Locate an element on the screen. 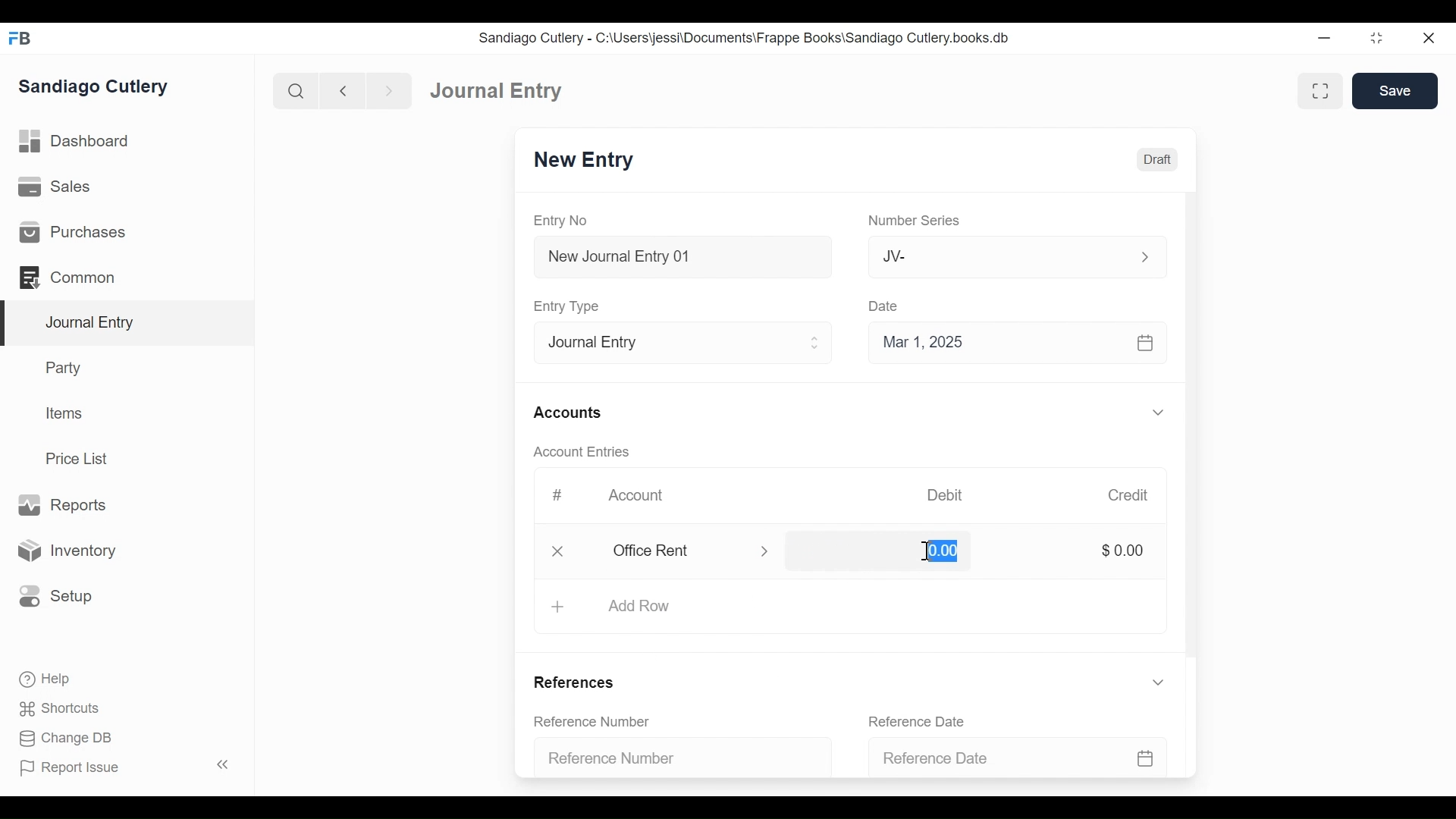 The image size is (1456, 819). New Journal Entry 01 is located at coordinates (678, 256).